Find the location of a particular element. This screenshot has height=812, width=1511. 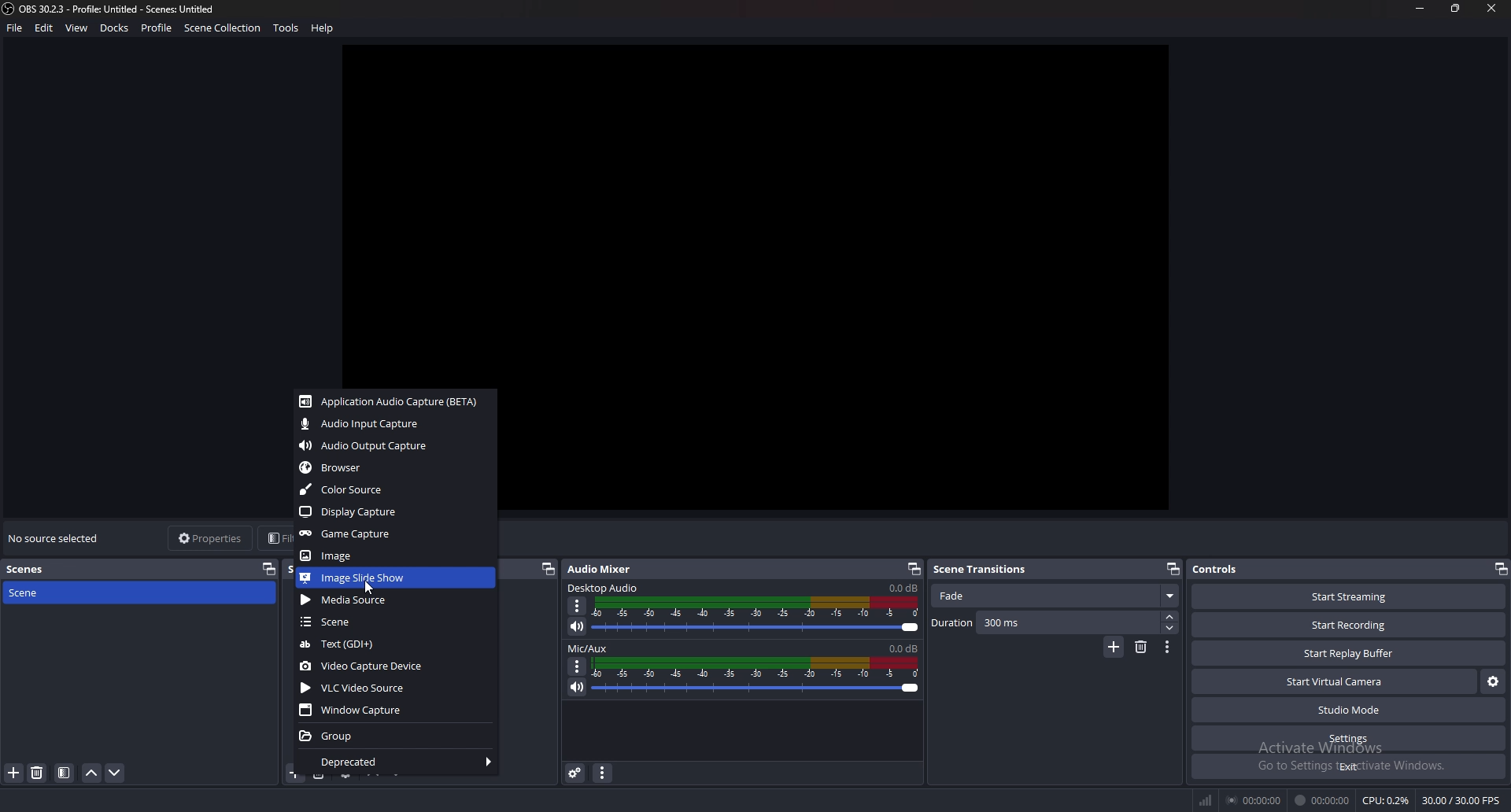

exit is located at coordinates (1347, 766).